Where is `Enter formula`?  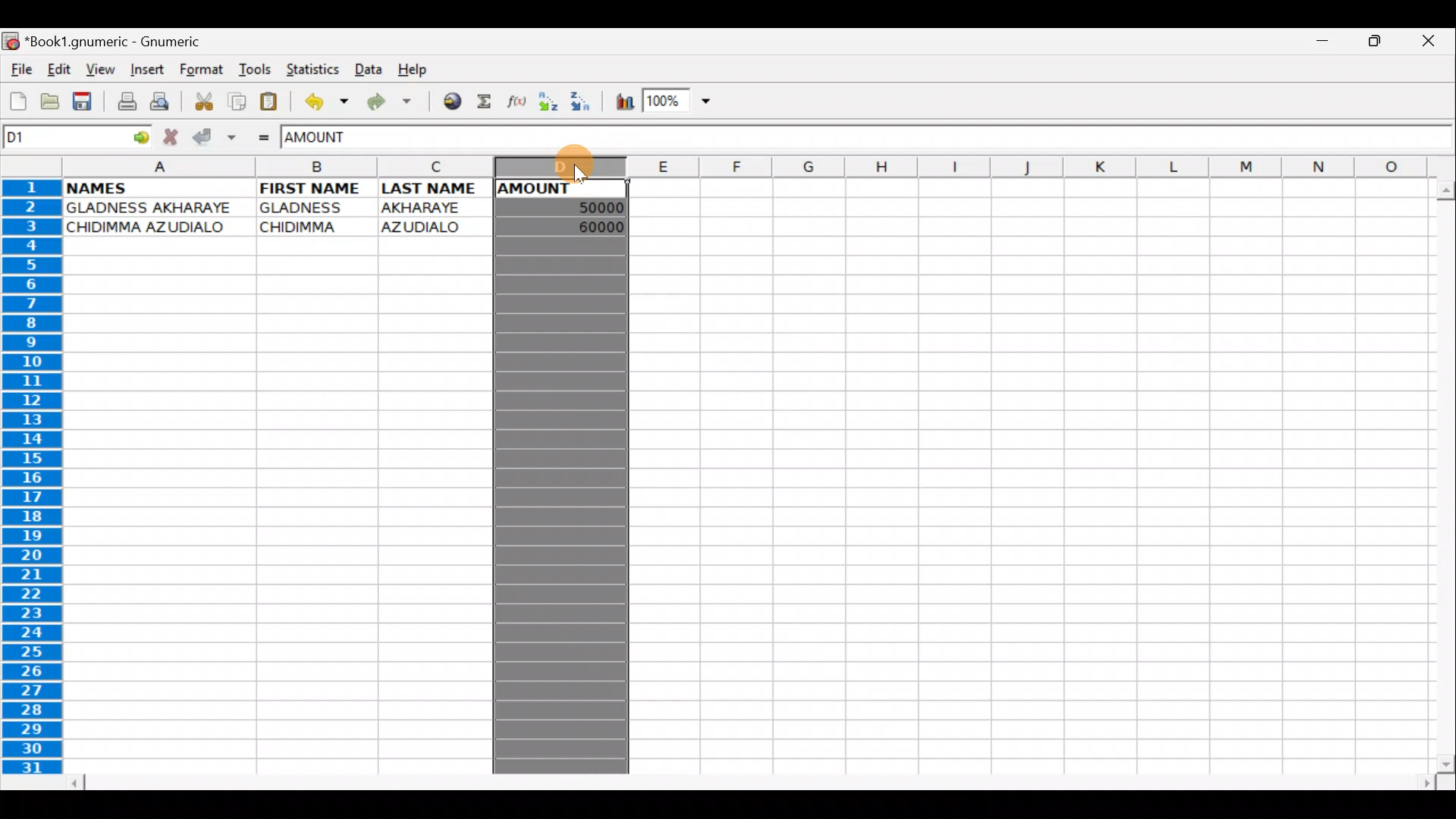
Enter formula is located at coordinates (264, 137).